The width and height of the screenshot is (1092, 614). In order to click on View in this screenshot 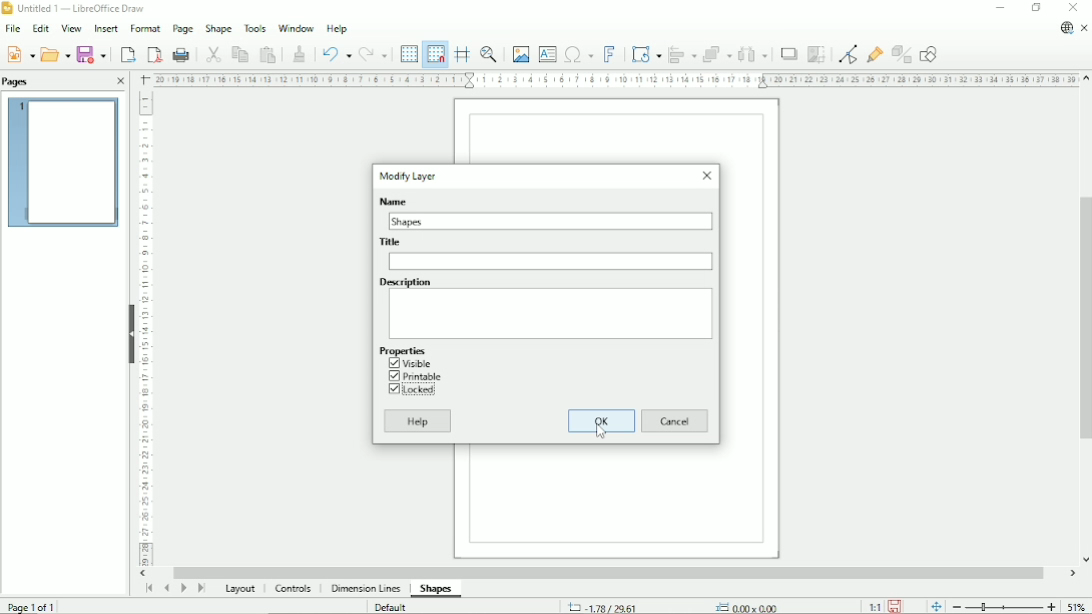, I will do `click(71, 28)`.